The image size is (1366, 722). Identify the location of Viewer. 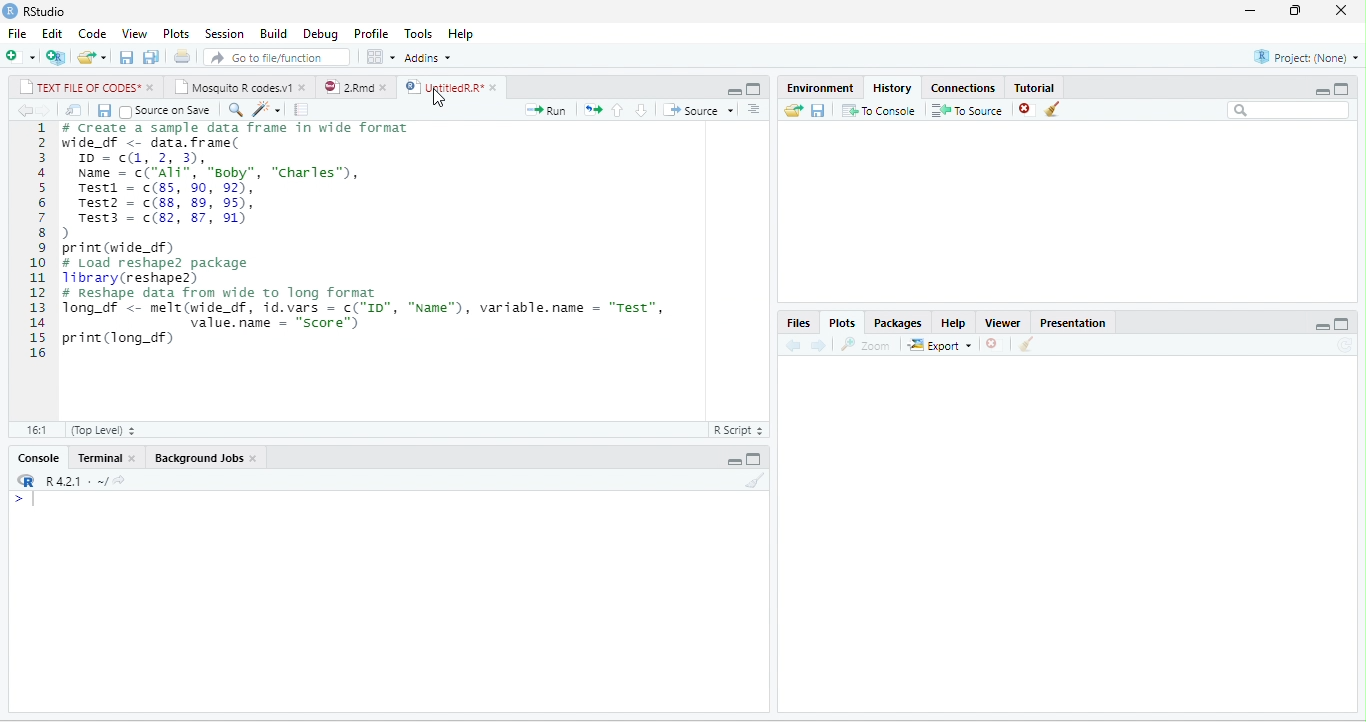
(1003, 323).